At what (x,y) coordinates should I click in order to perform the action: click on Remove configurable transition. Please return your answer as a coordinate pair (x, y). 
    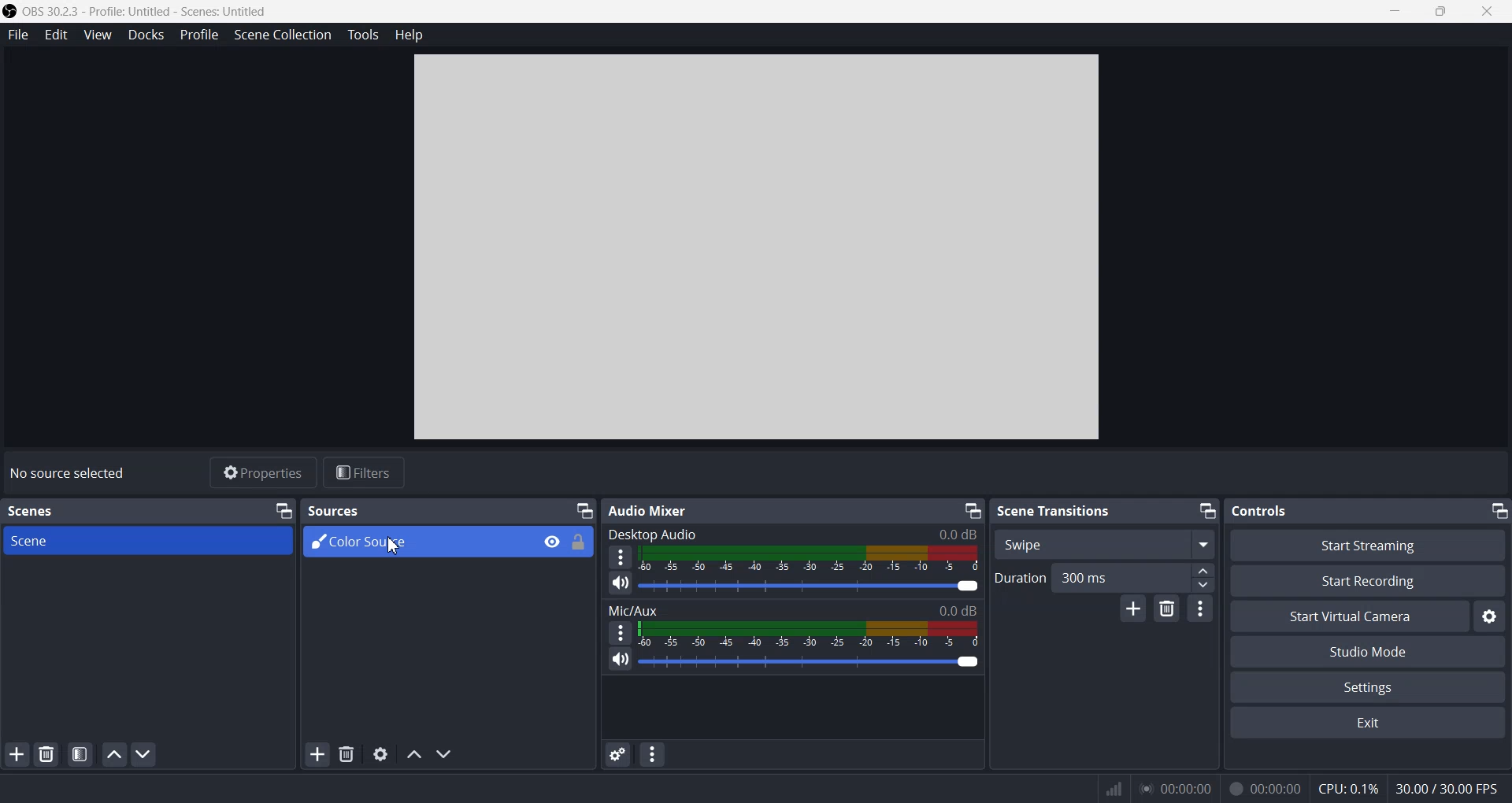
    Looking at the image, I should click on (1166, 609).